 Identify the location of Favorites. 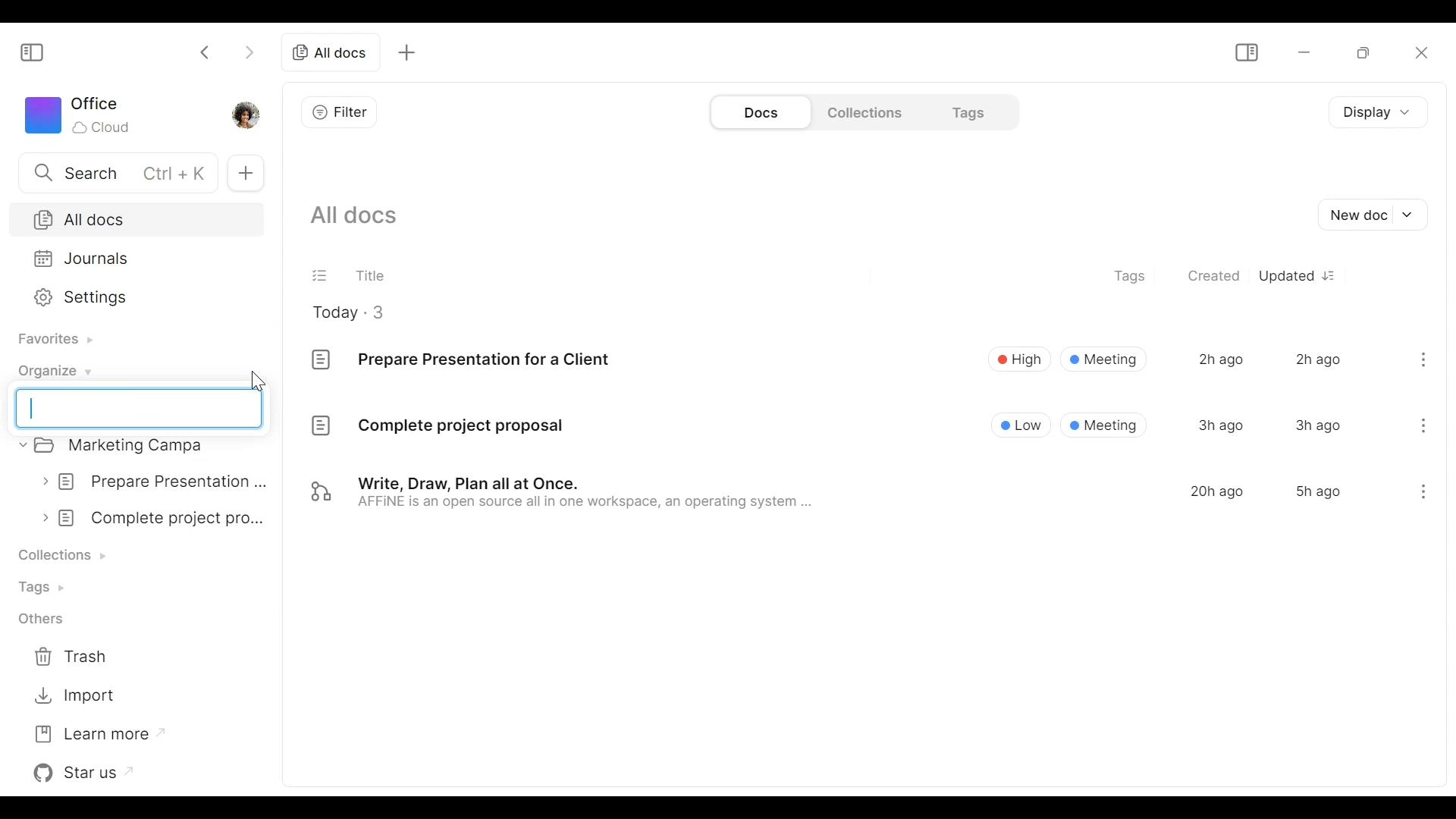
(52, 339).